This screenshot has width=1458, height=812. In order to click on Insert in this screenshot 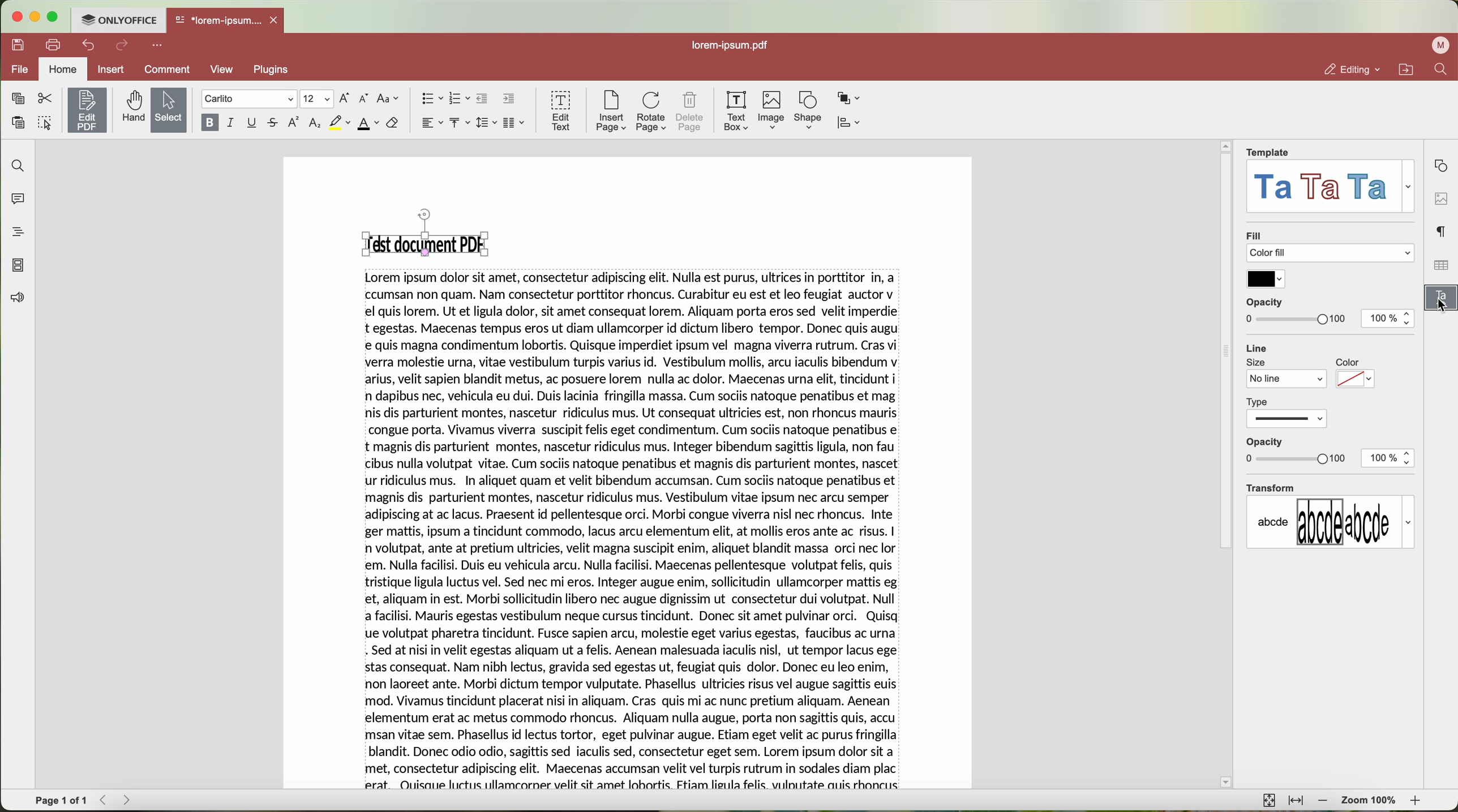, I will do `click(111, 69)`.